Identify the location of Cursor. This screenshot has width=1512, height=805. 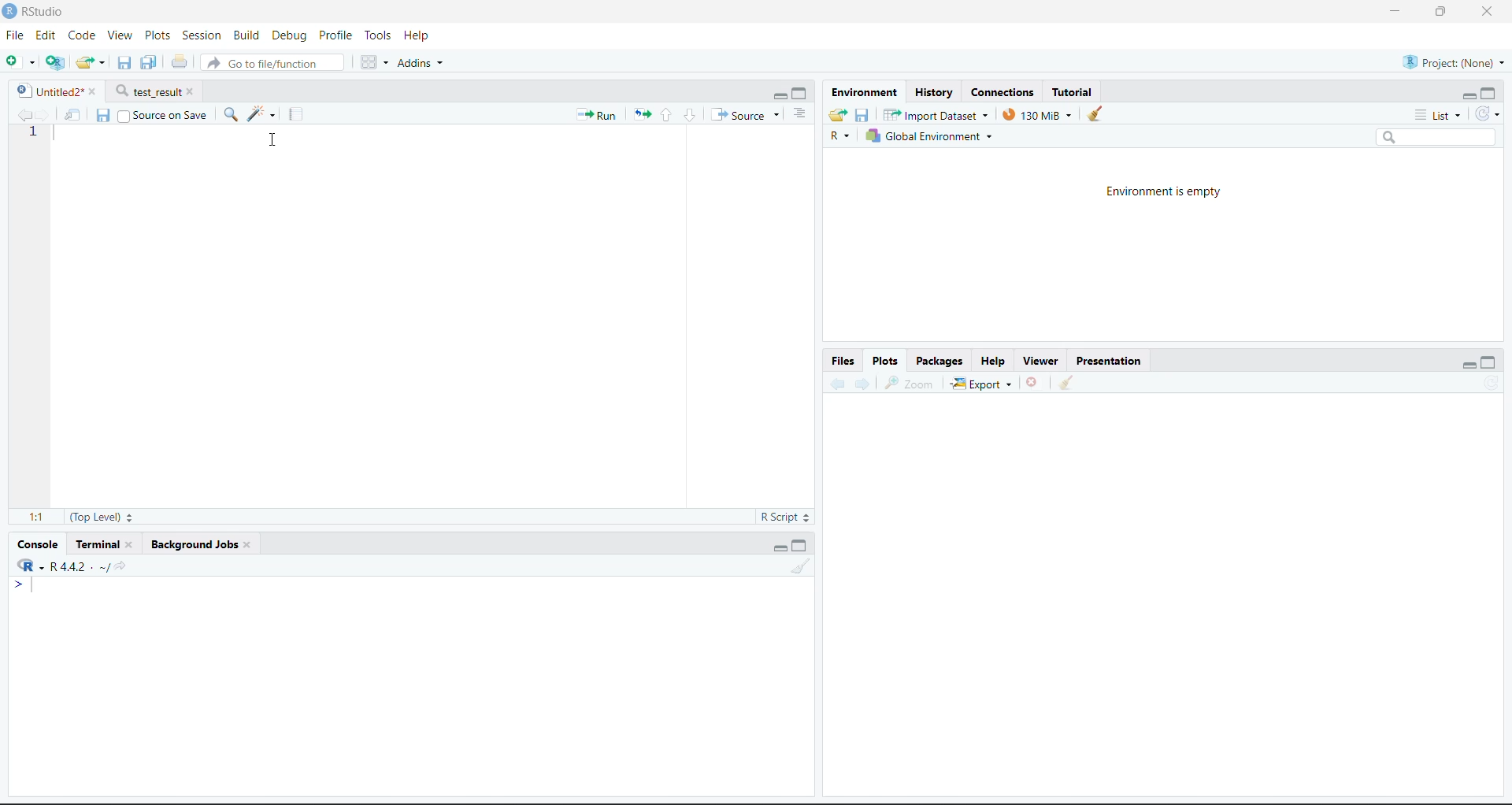
(275, 141).